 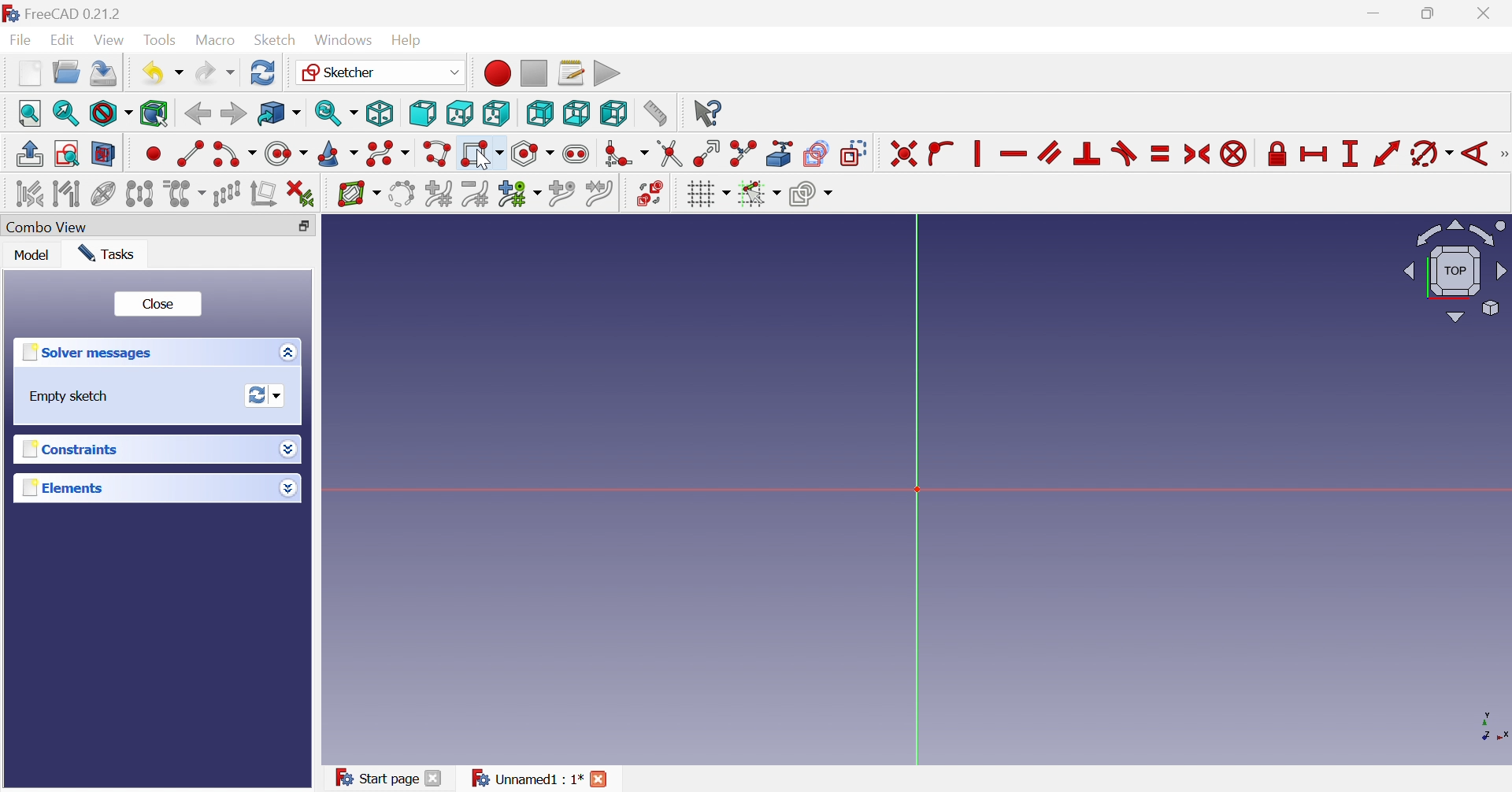 What do you see at coordinates (104, 73) in the screenshot?
I see `Save` at bounding box center [104, 73].